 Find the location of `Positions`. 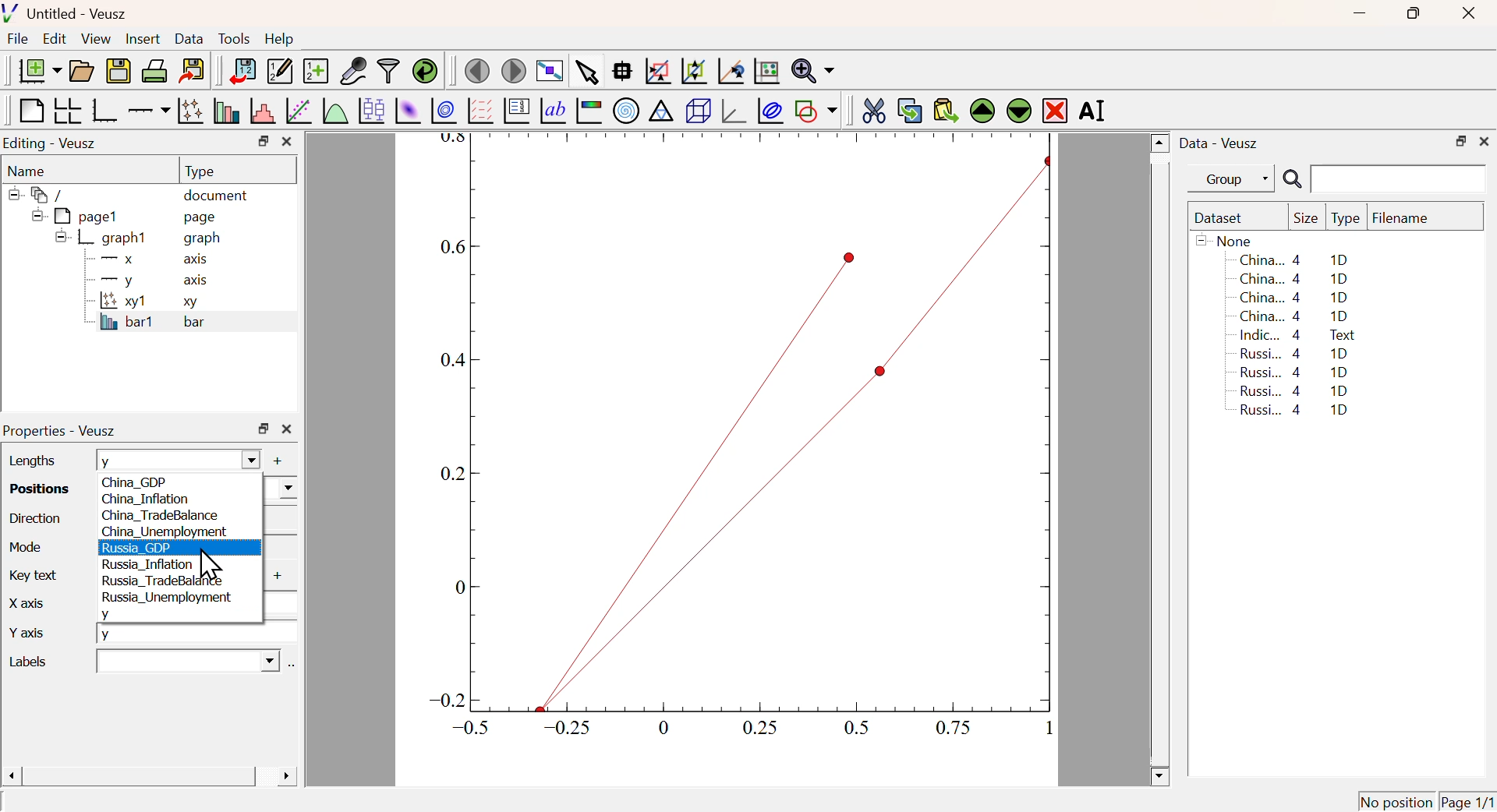

Positions is located at coordinates (34, 487).